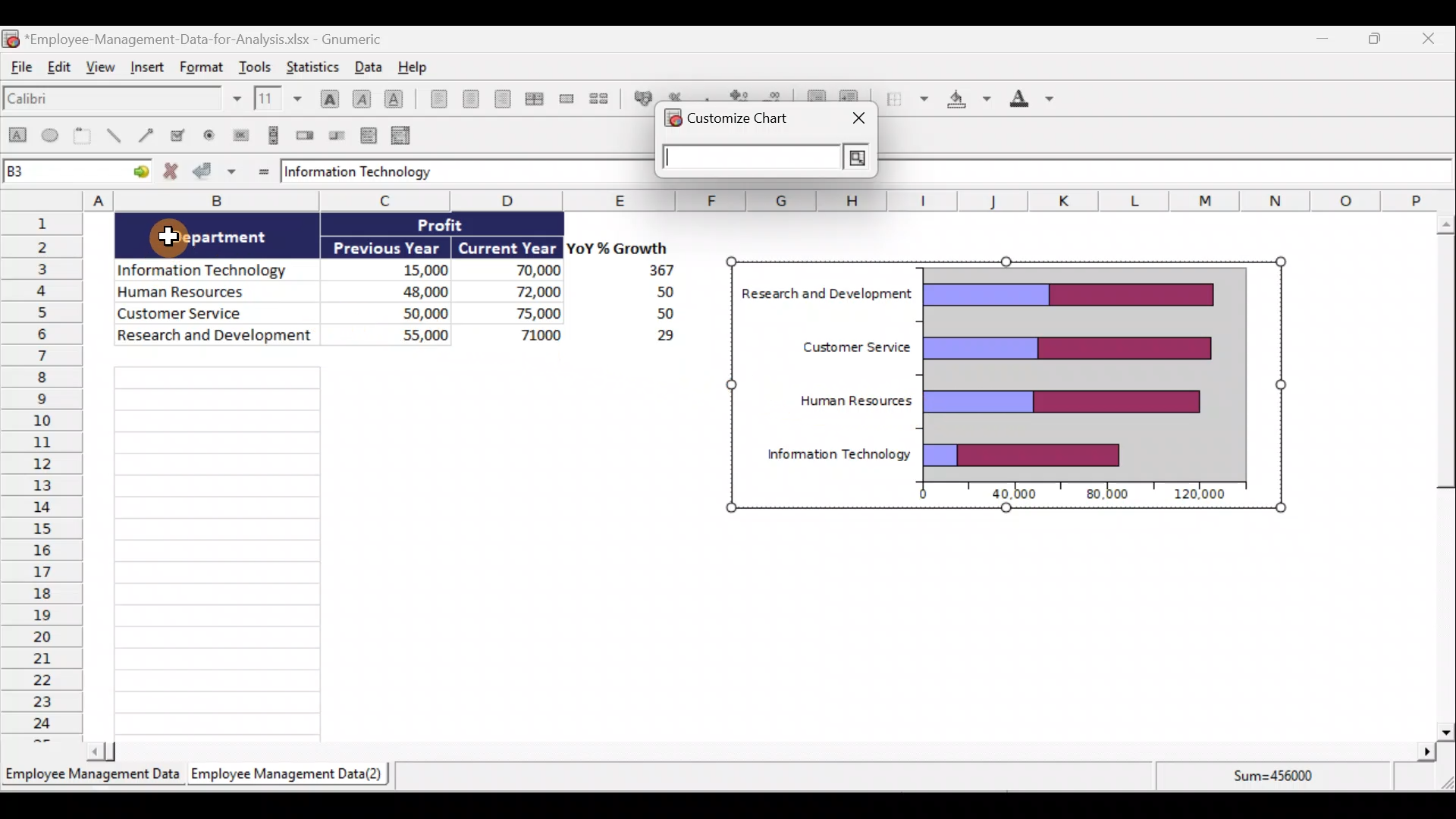 The width and height of the screenshot is (1456, 819). Describe the element at coordinates (764, 160) in the screenshot. I see `Cell range selector` at that location.